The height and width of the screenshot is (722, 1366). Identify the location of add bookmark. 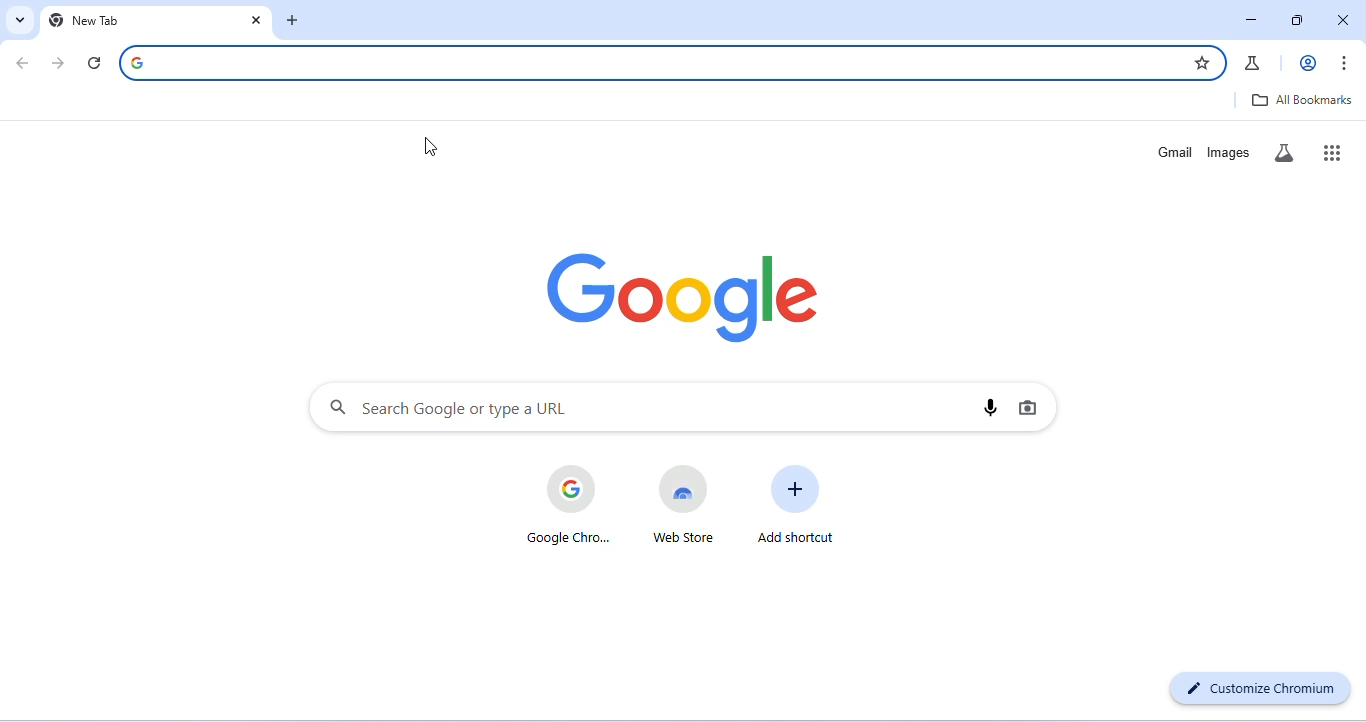
(1198, 61).